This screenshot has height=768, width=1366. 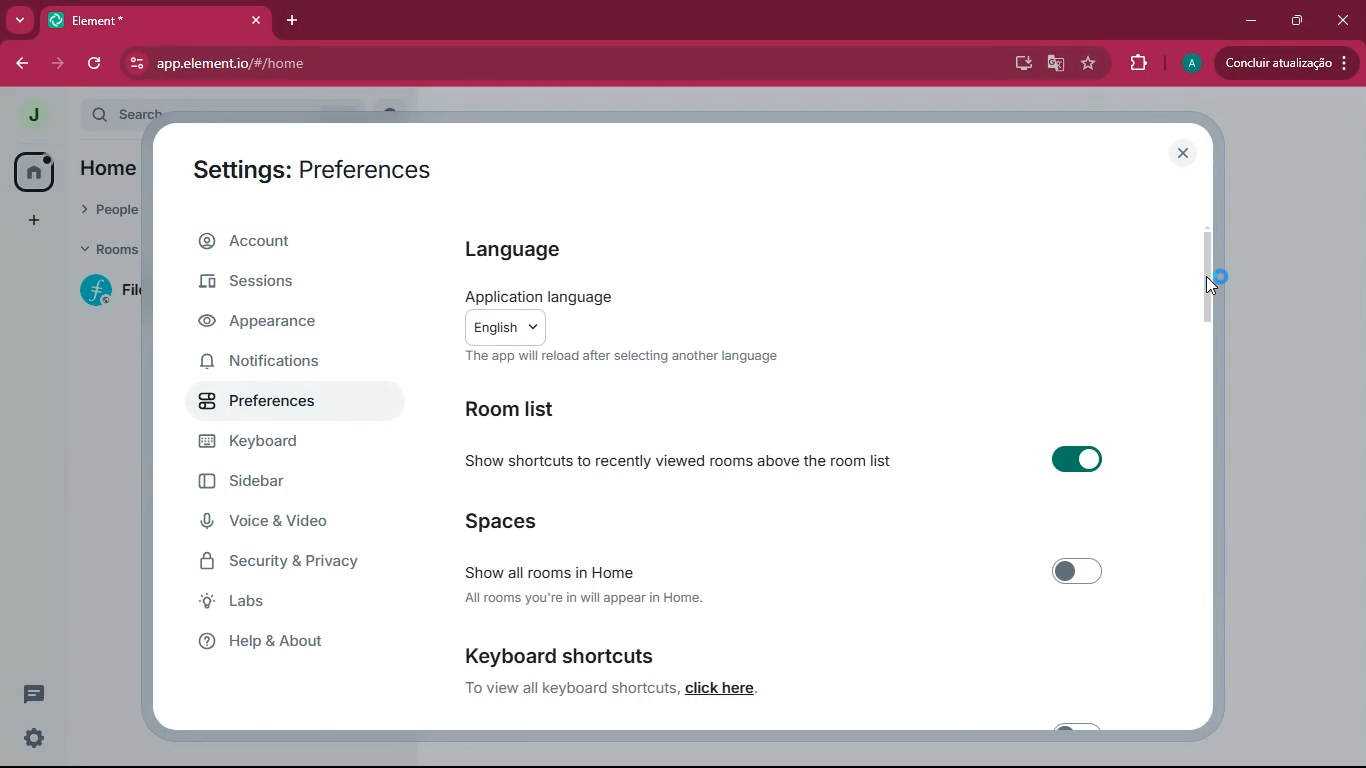 I want to click on Voice & Video, so click(x=274, y=524).